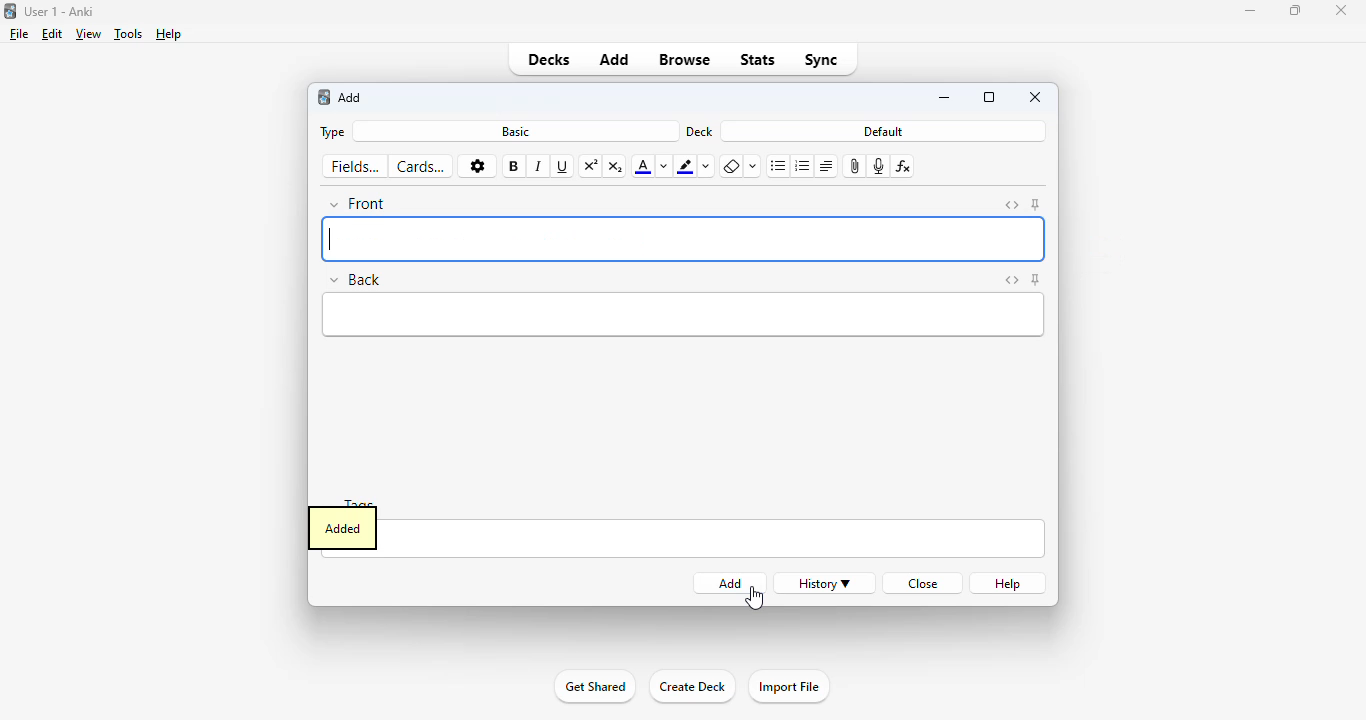  I want to click on italic, so click(539, 167).